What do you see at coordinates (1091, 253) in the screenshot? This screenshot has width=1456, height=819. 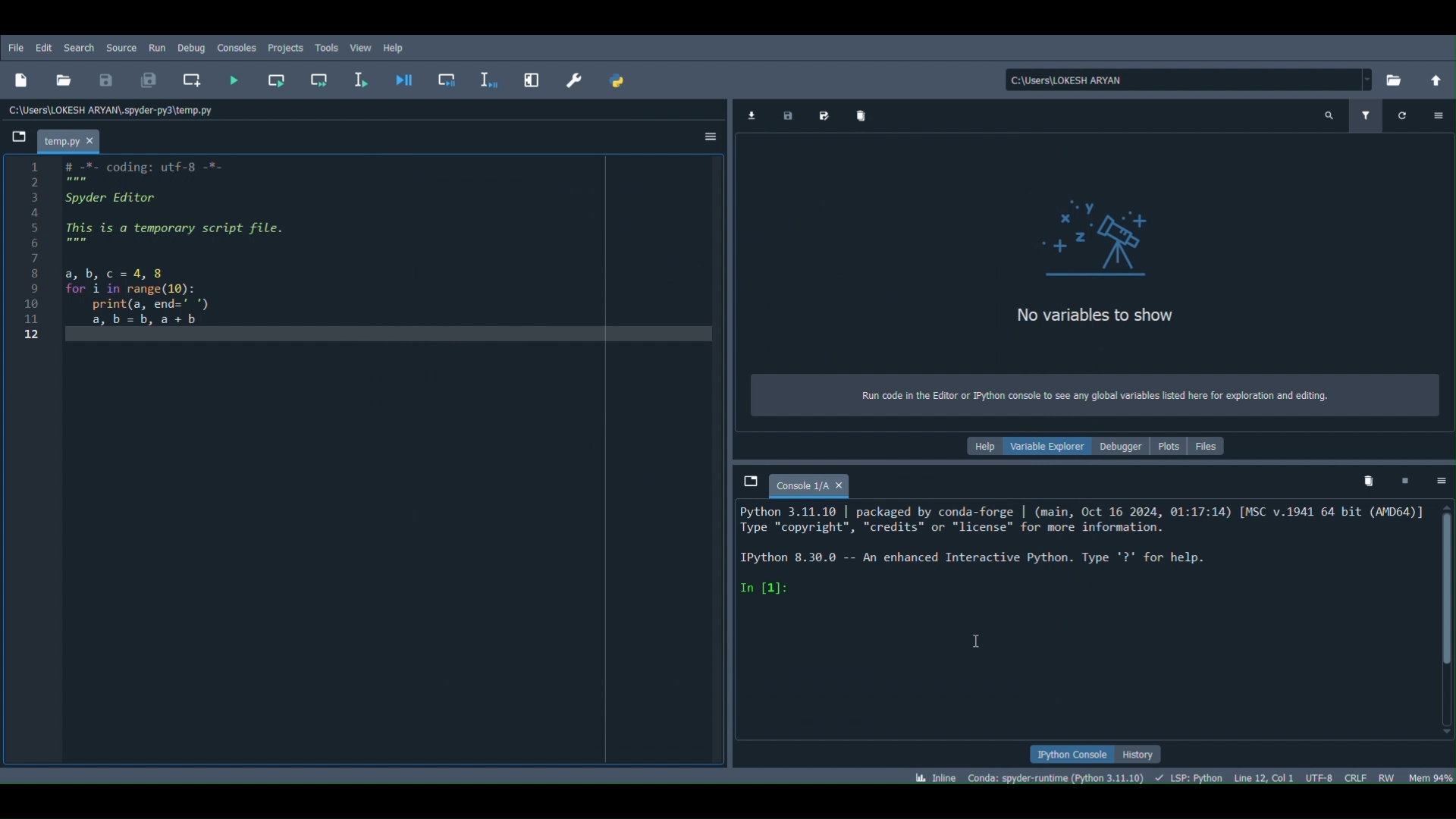 I see `Variables` at bounding box center [1091, 253].